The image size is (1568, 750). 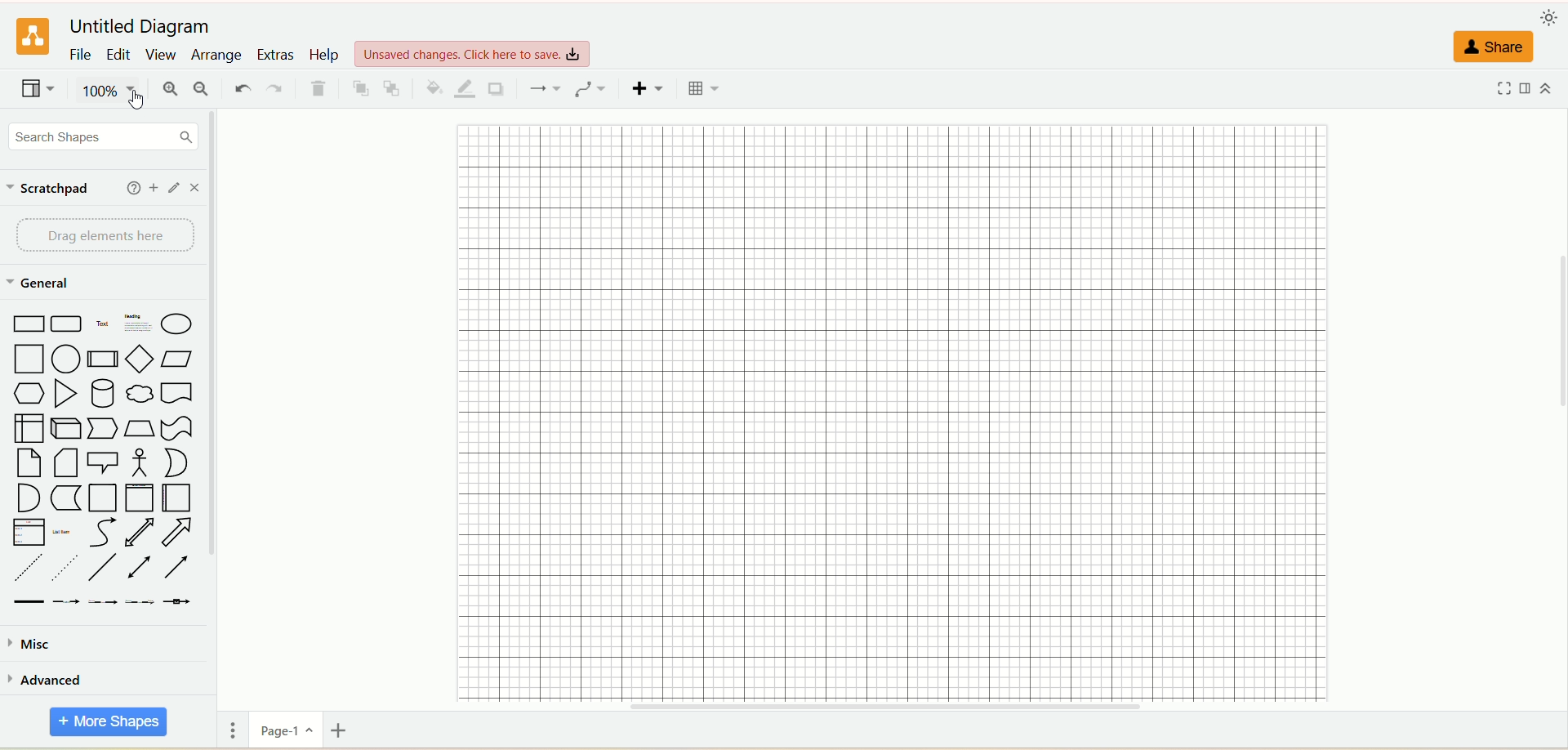 What do you see at coordinates (174, 188) in the screenshot?
I see `edit` at bounding box center [174, 188].